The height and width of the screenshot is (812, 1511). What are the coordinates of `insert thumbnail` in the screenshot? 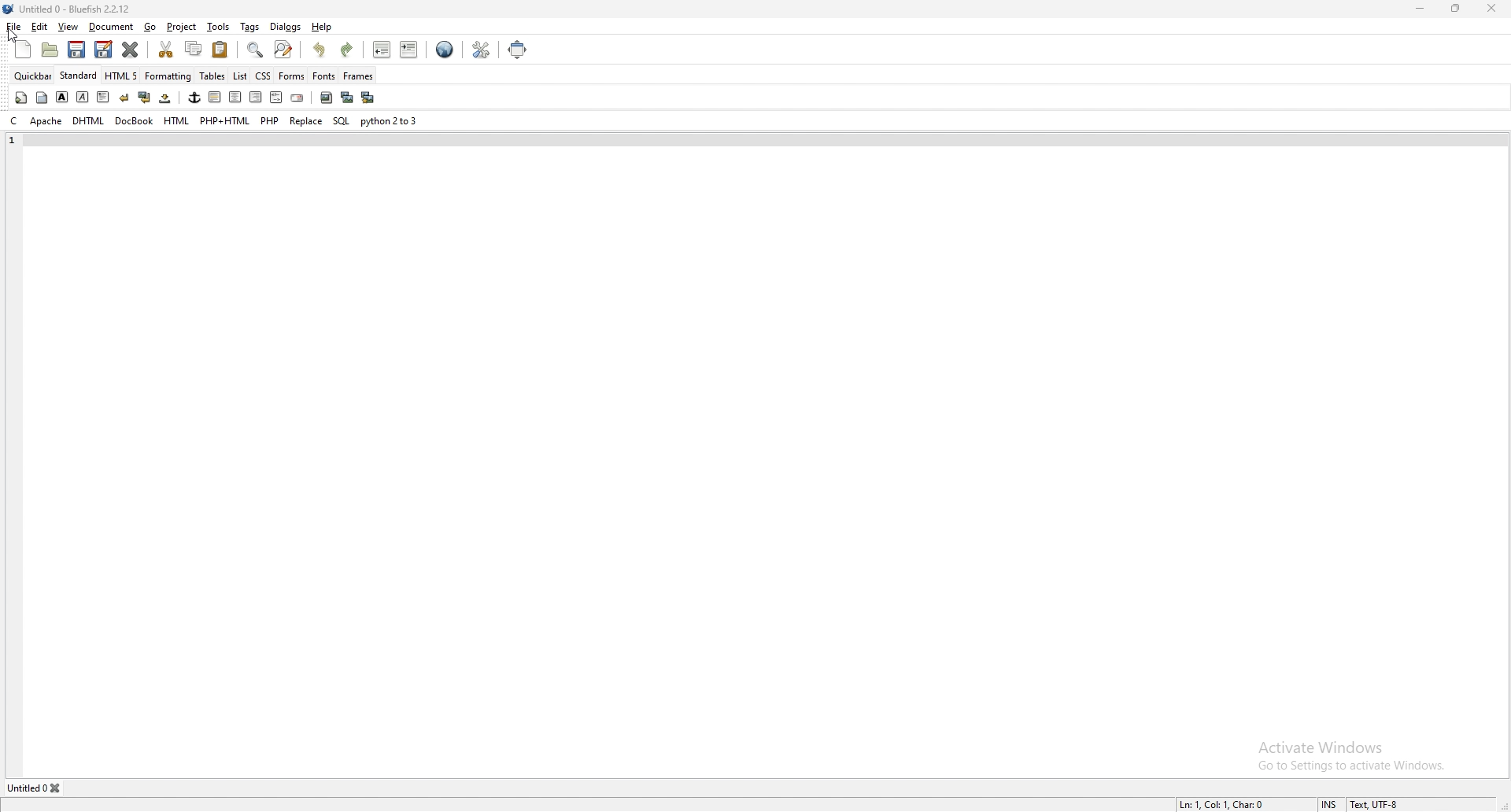 It's located at (347, 98).